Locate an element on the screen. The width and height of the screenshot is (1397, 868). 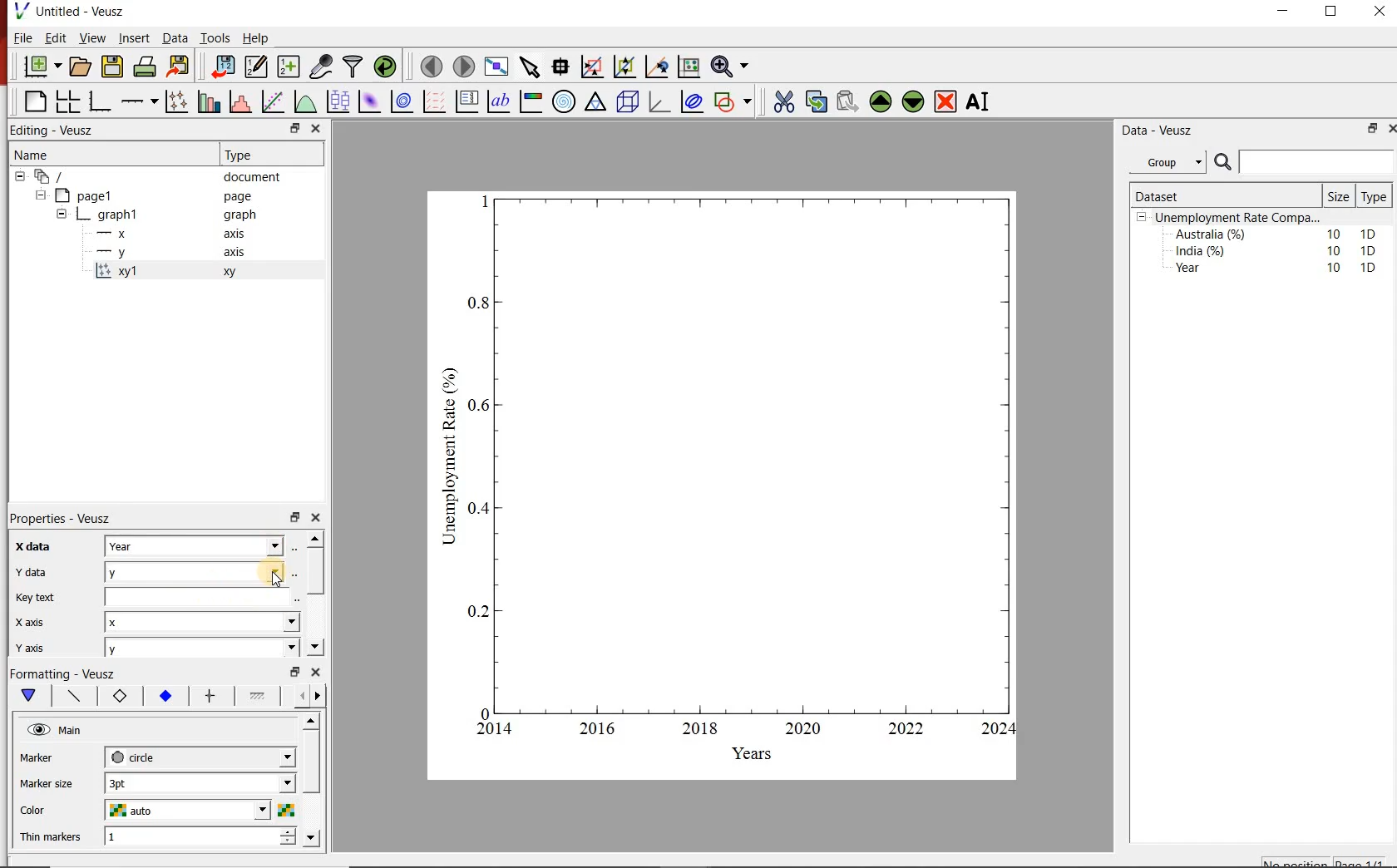
1 pt is located at coordinates (197, 782).